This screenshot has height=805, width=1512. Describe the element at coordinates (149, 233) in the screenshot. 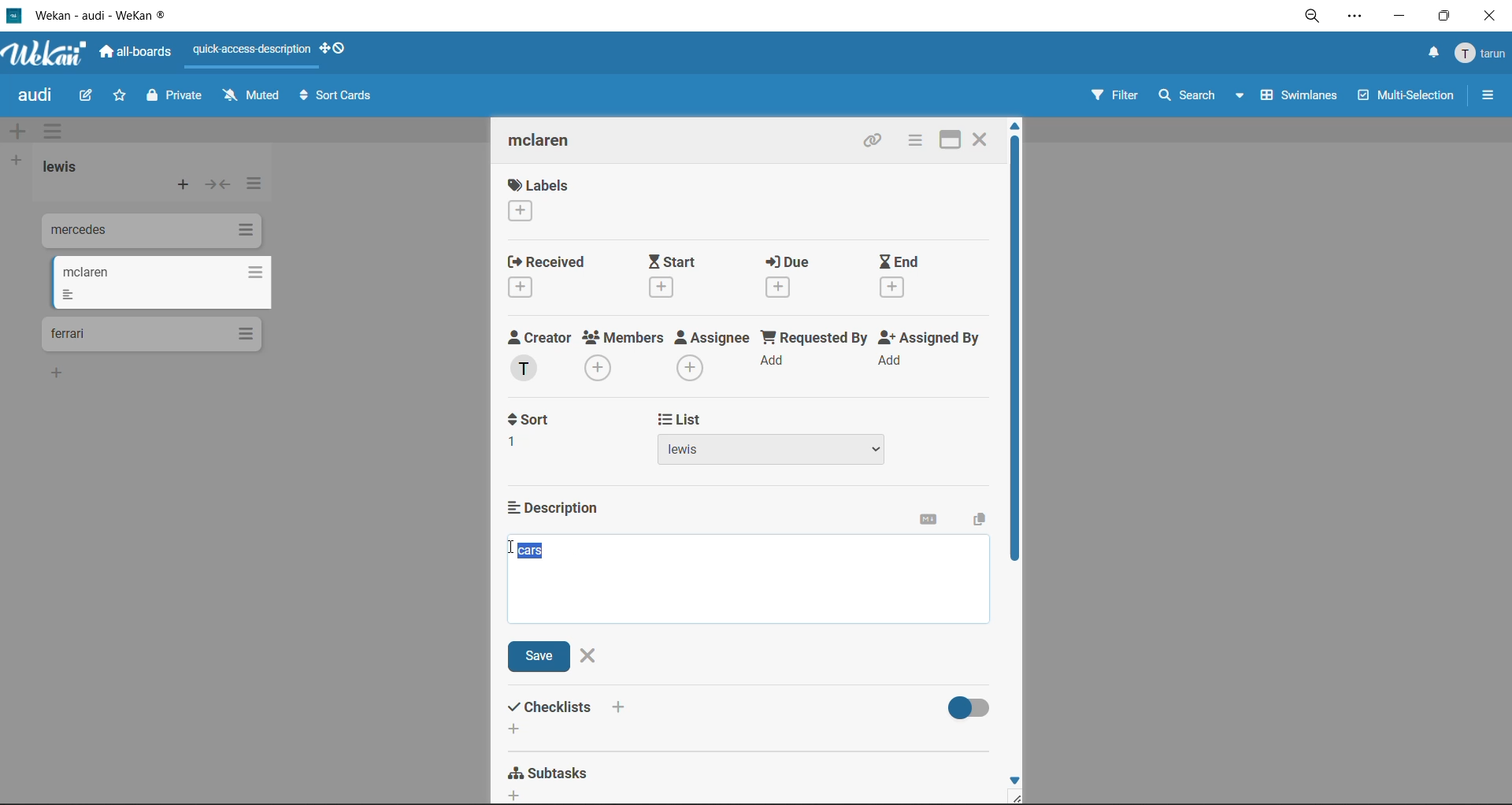

I see `cards` at that location.